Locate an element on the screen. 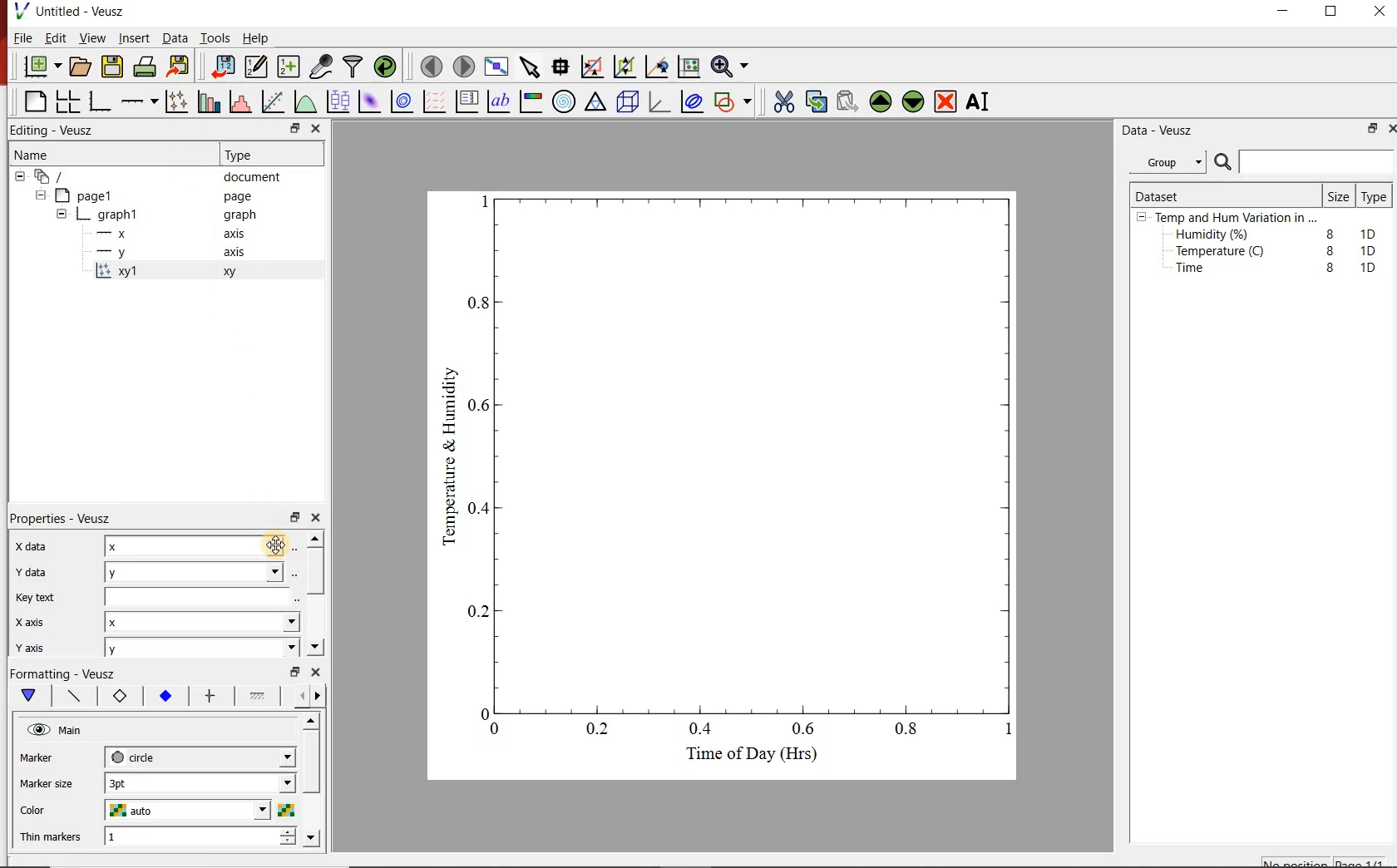  0.6 is located at coordinates (804, 728).